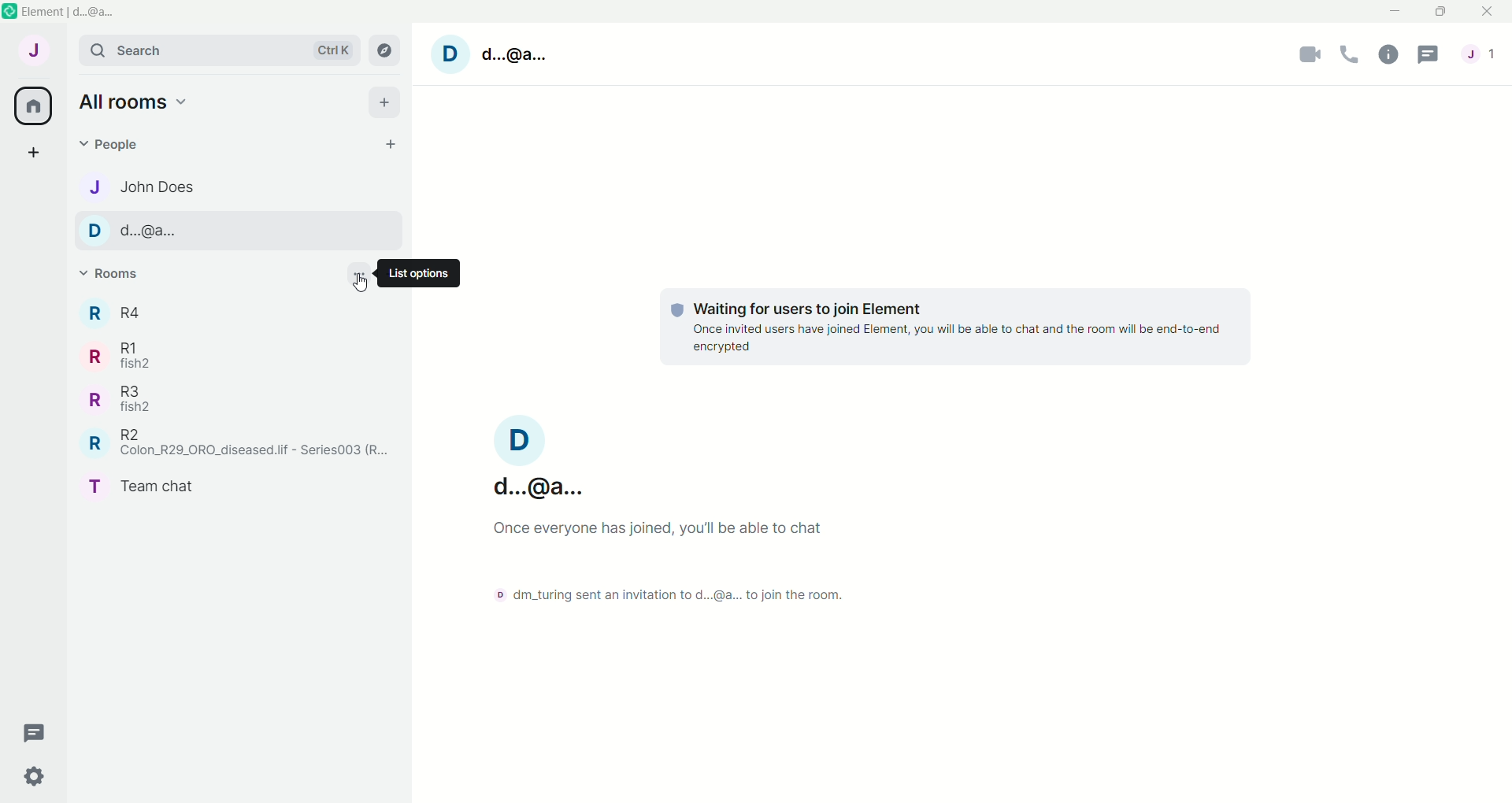  Describe the element at coordinates (116, 313) in the screenshot. I see `Room R4` at that location.